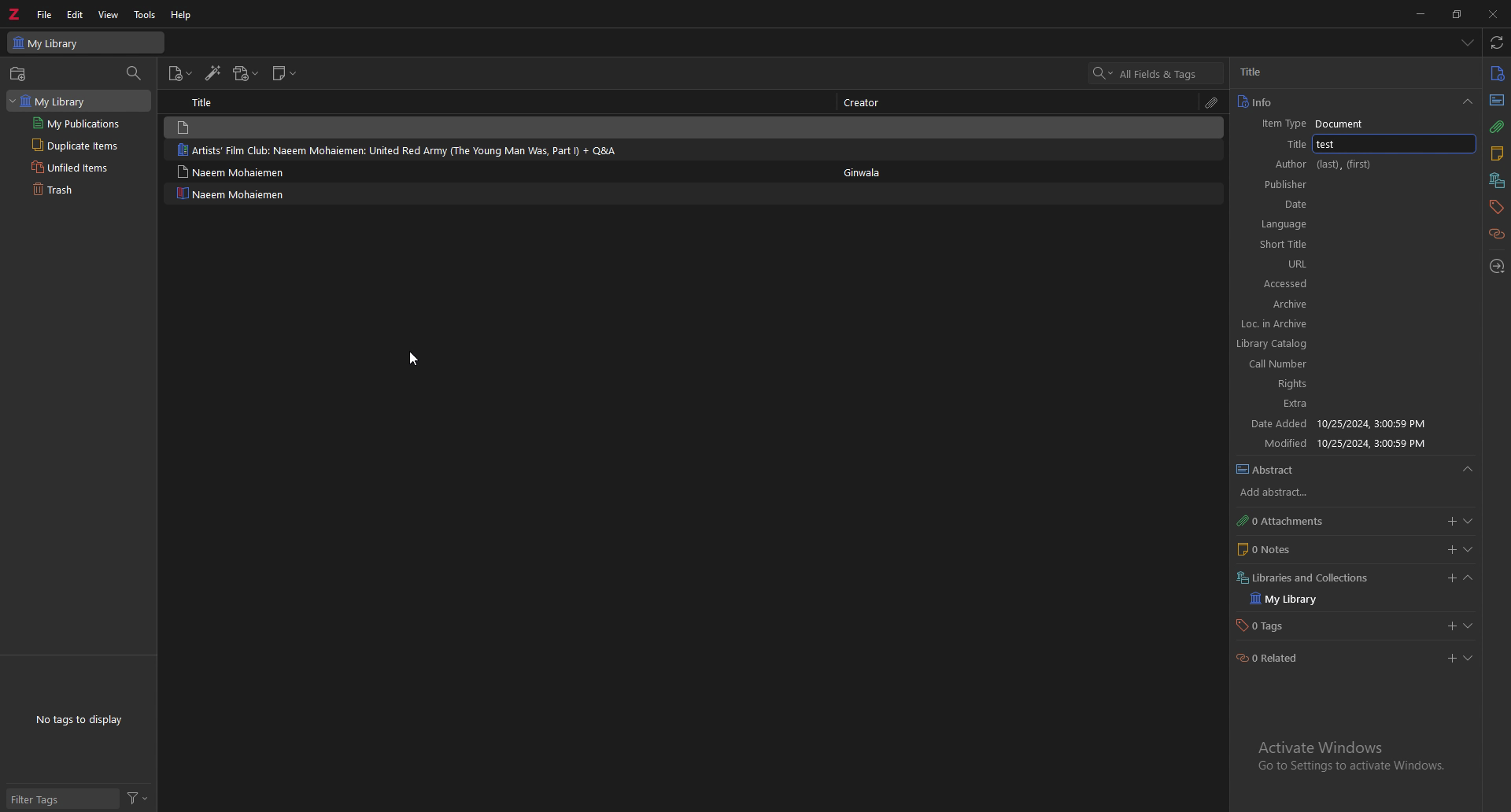  Describe the element at coordinates (74, 190) in the screenshot. I see `trash` at that location.